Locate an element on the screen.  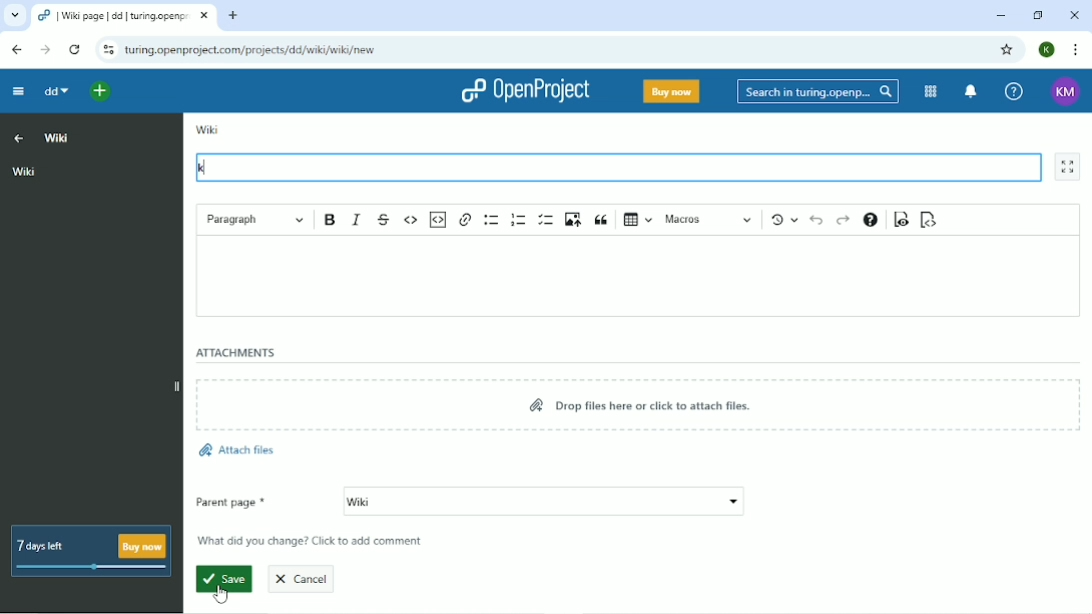
Link is located at coordinates (466, 220).